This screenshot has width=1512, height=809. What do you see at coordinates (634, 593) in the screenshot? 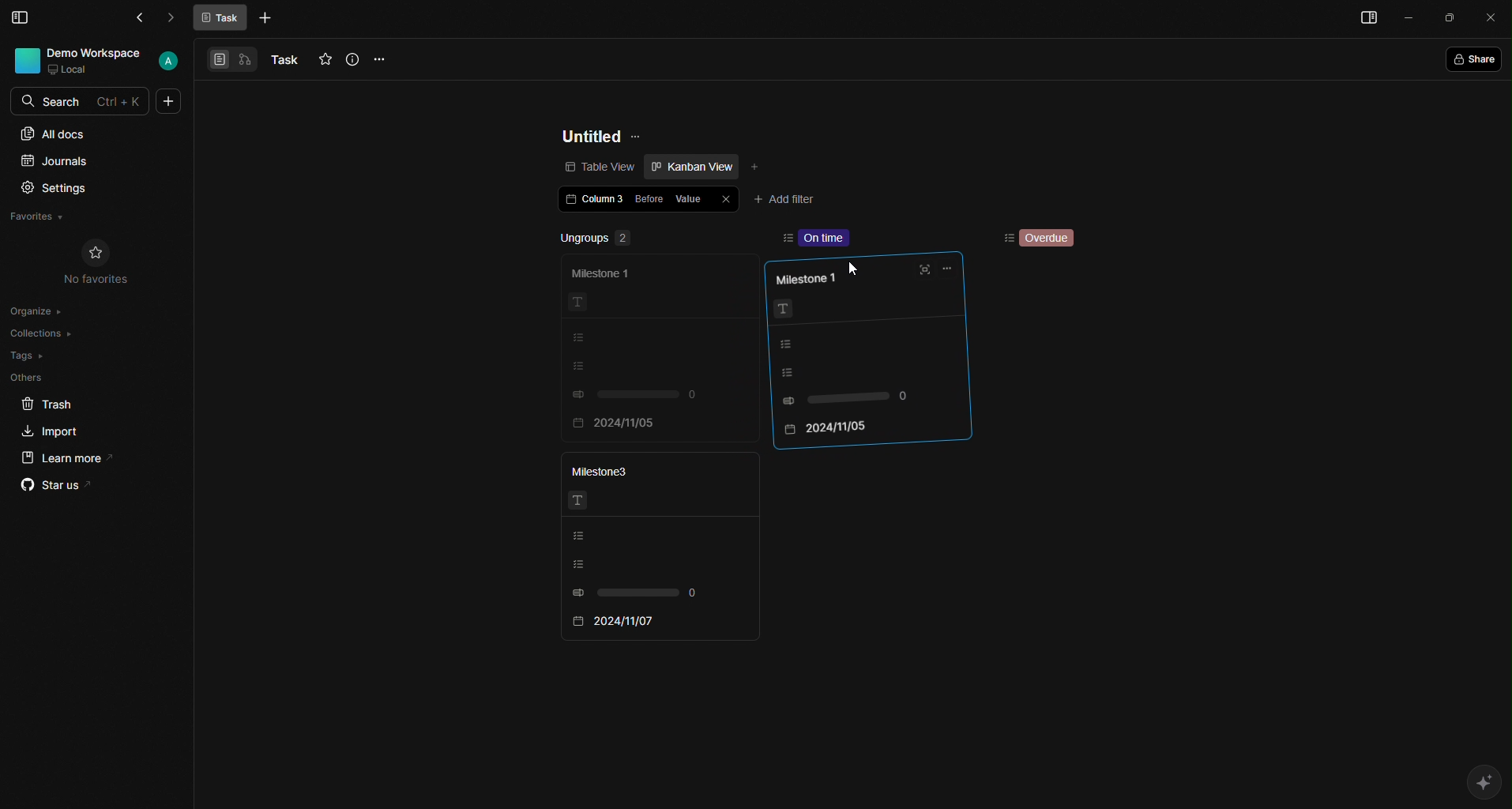
I see `0` at bounding box center [634, 593].